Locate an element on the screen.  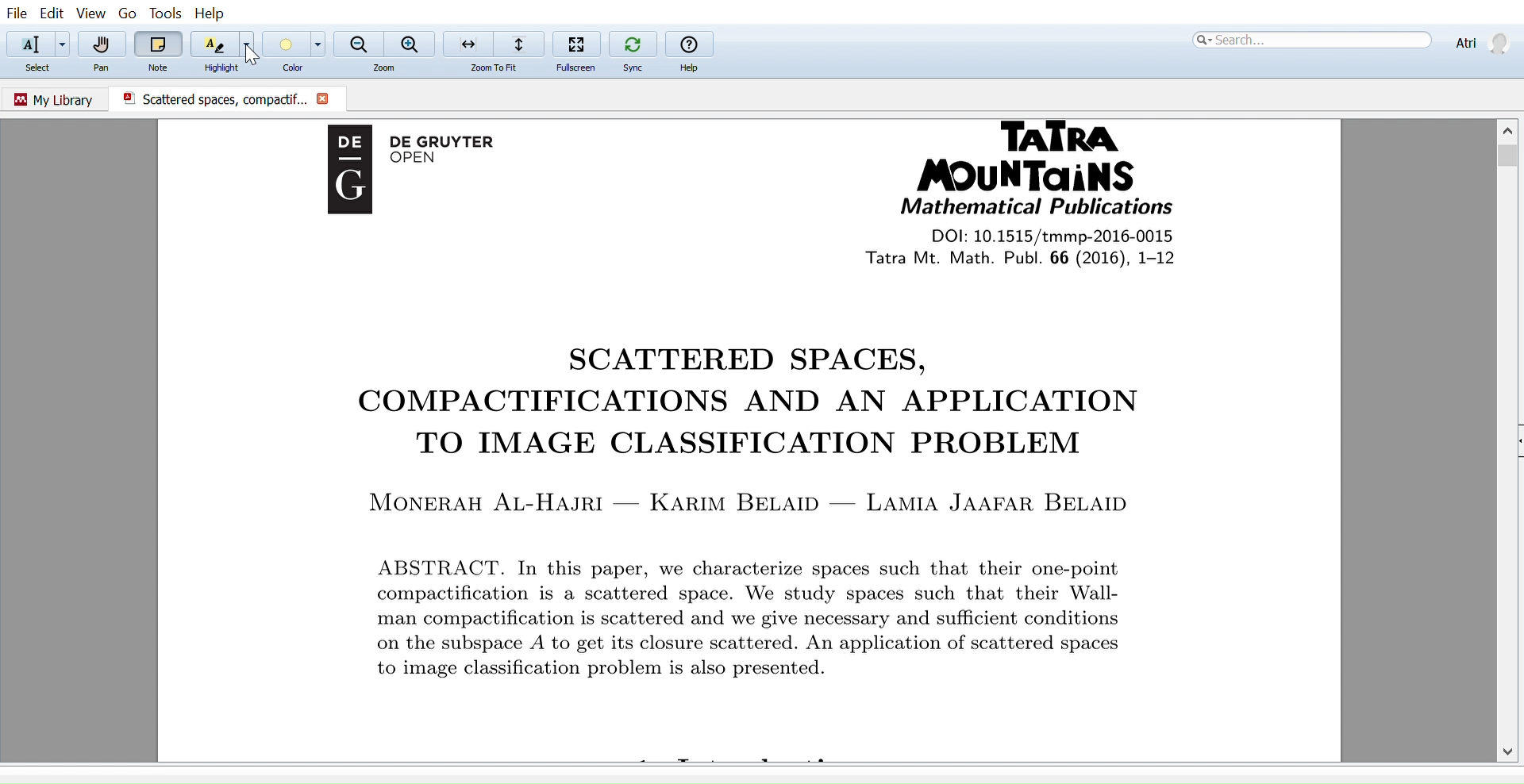
Fullscreen is located at coordinates (577, 43).